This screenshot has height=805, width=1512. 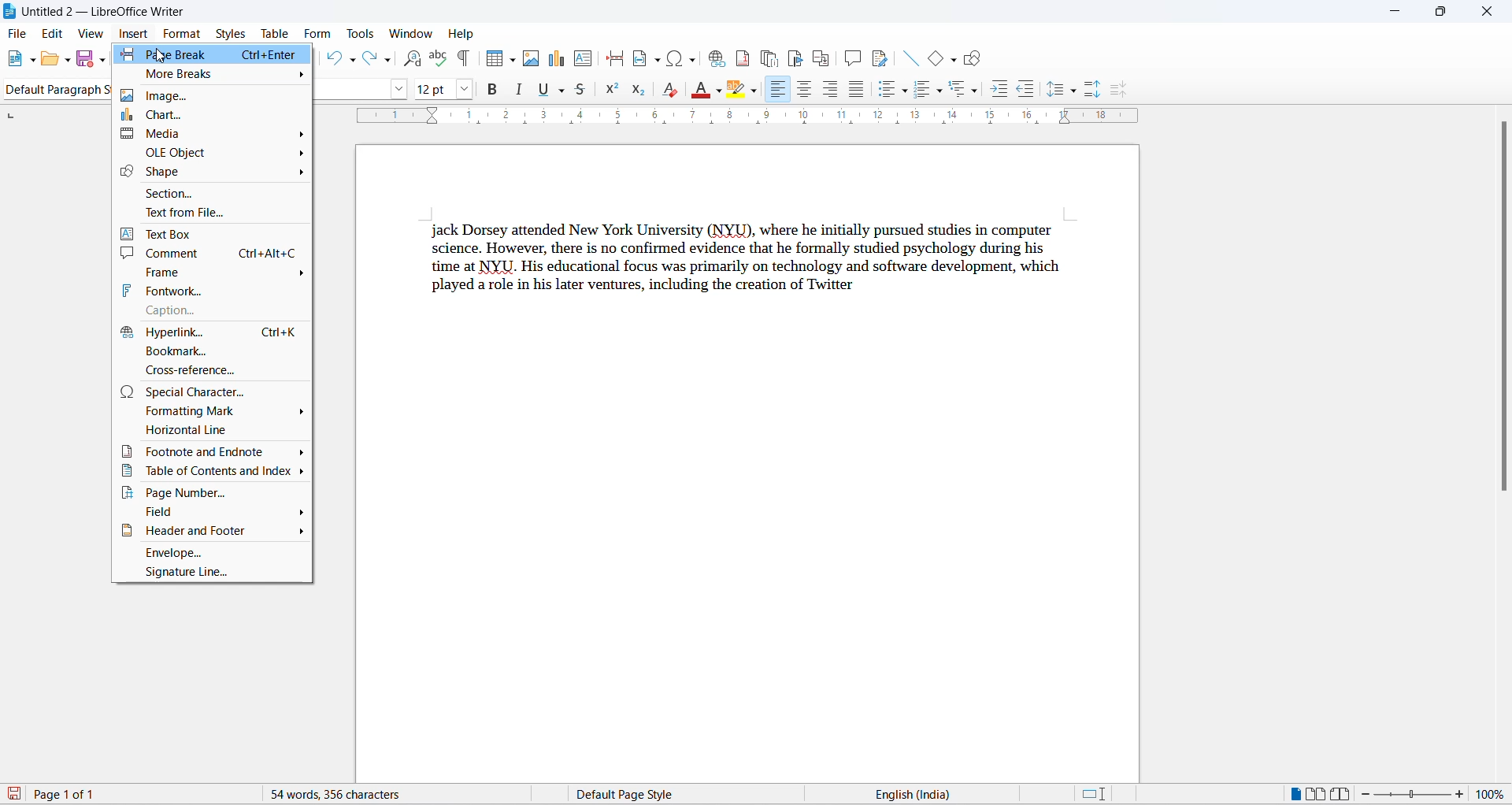 What do you see at coordinates (371, 57) in the screenshot?
I see `redo` at bounding box center [371, 57].